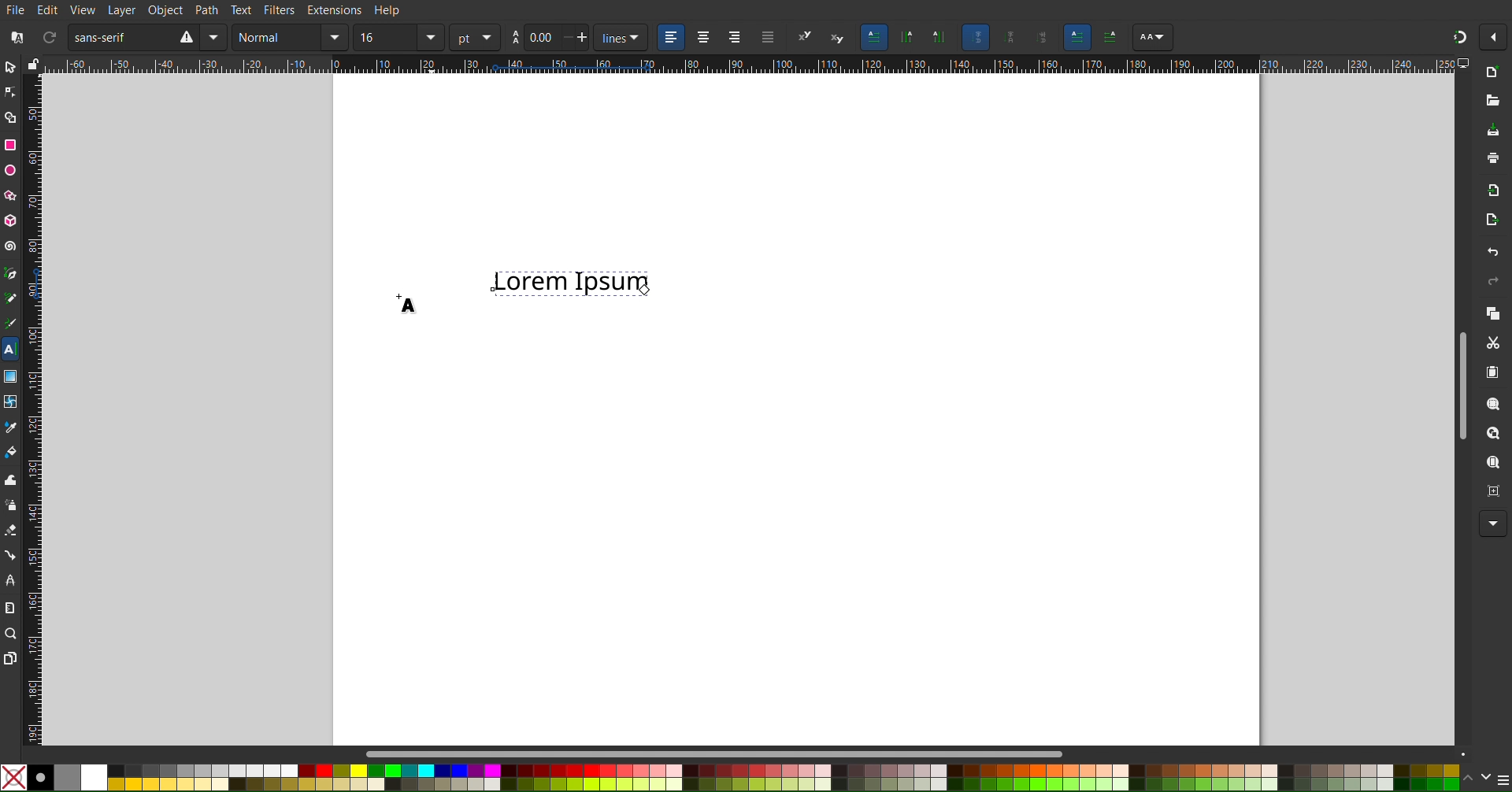 The height and width of the screenshot is (792, 1512). What do you see at coordinates (1493, 433) in the screenshot?
I see `Zoom Drawing` at bounding box center [1493, 433].